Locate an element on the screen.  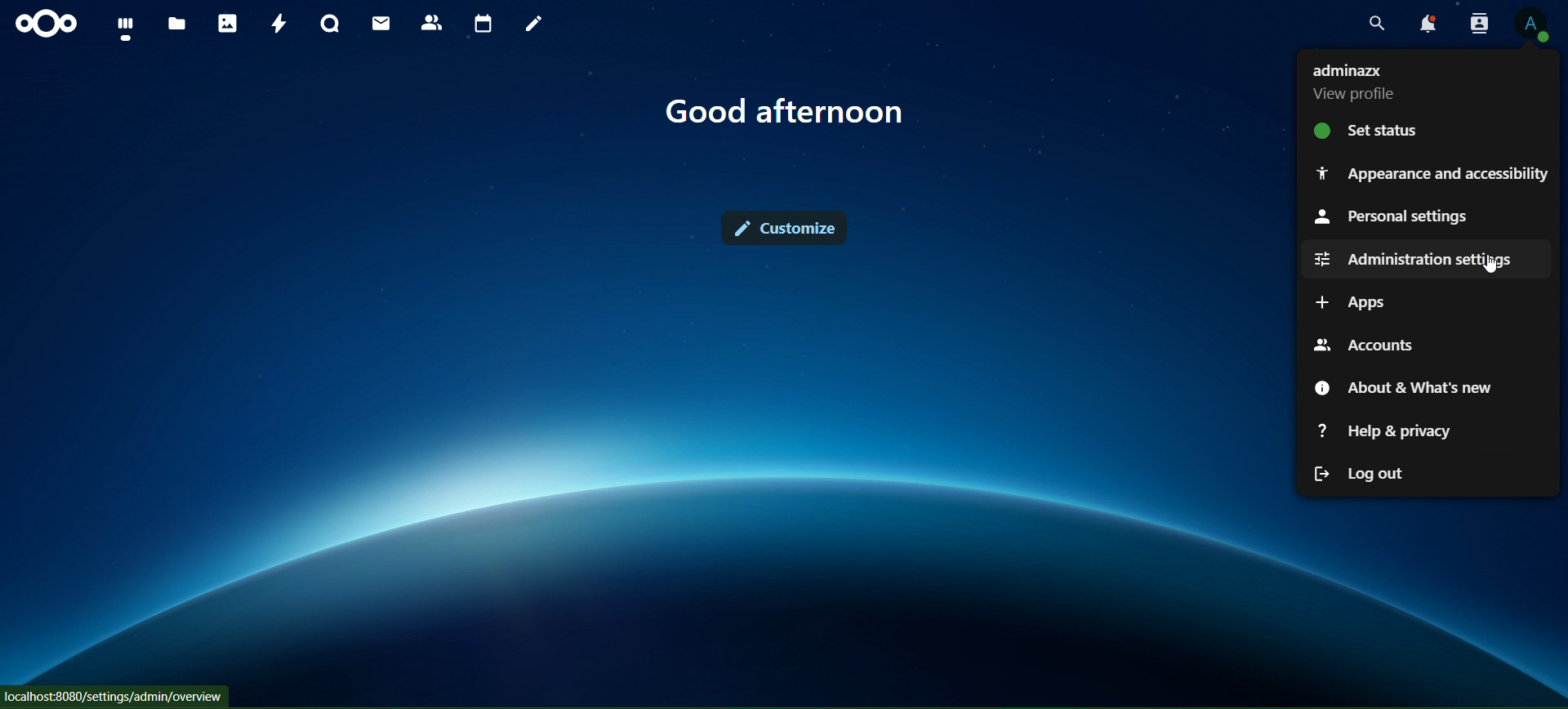
log out is located at coordinates (1361, 474).